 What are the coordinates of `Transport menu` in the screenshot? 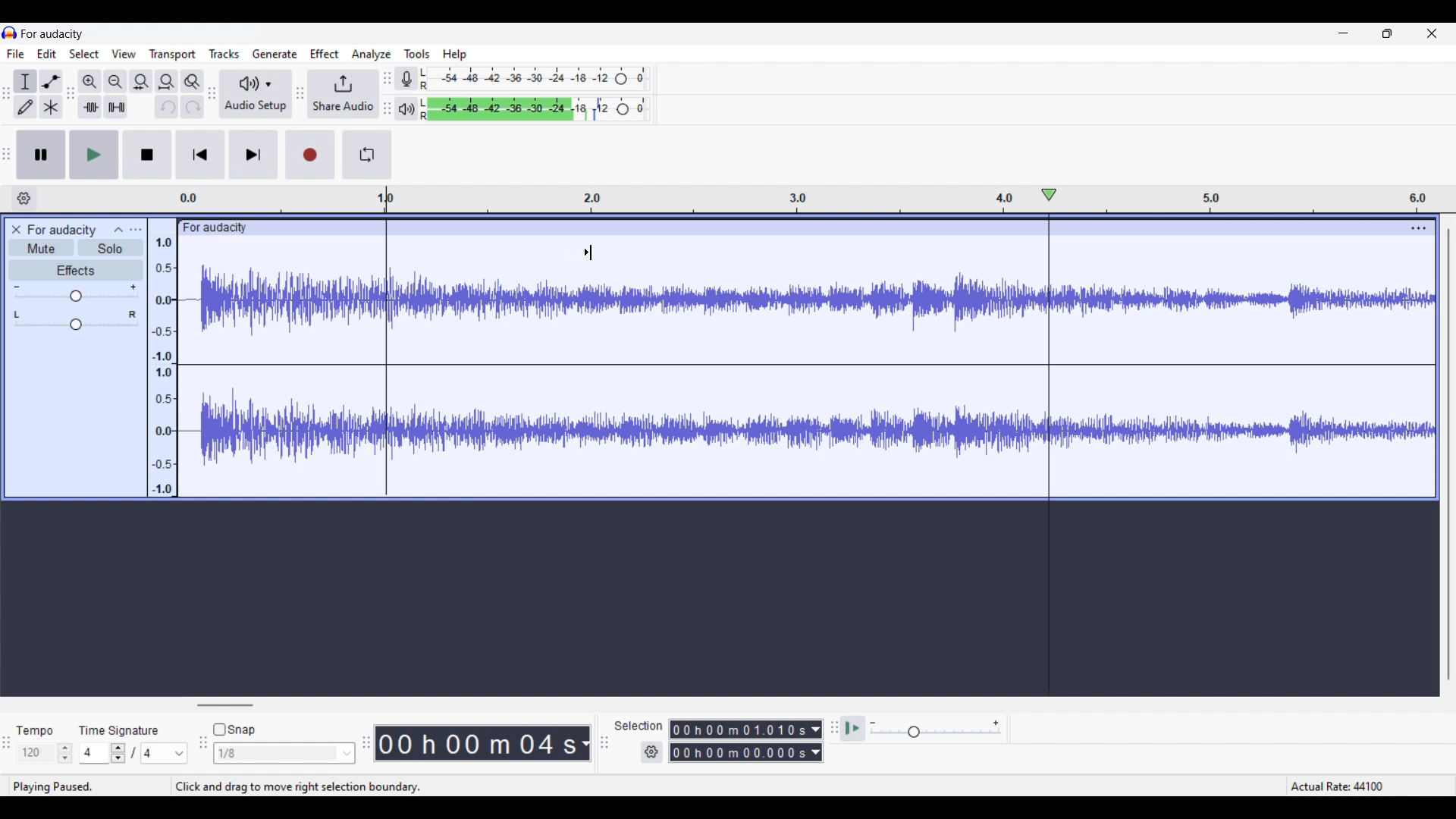 It's located at (173, 55).